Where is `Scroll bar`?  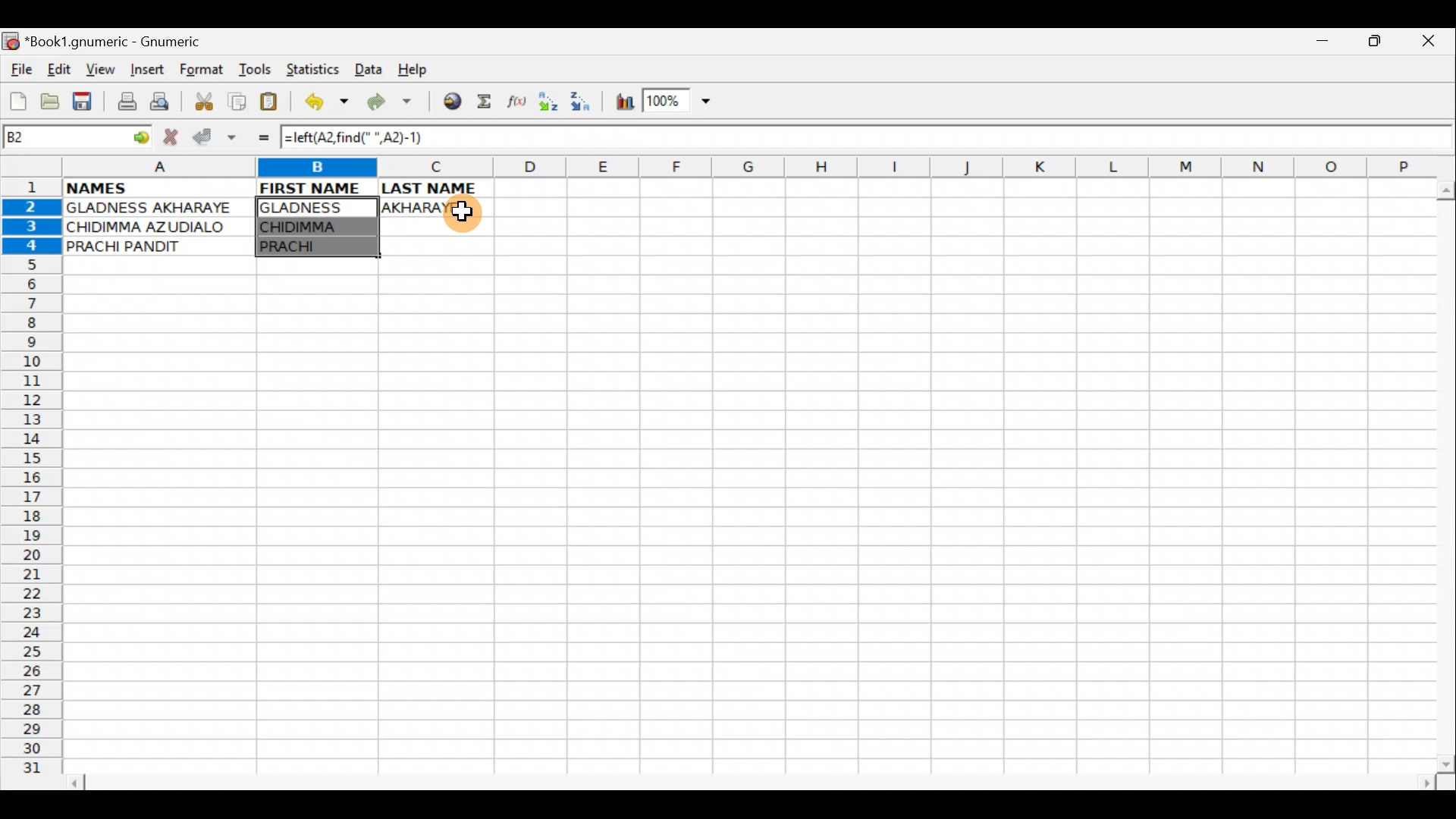
Scroll bar is located at coordinates (1442, 473).